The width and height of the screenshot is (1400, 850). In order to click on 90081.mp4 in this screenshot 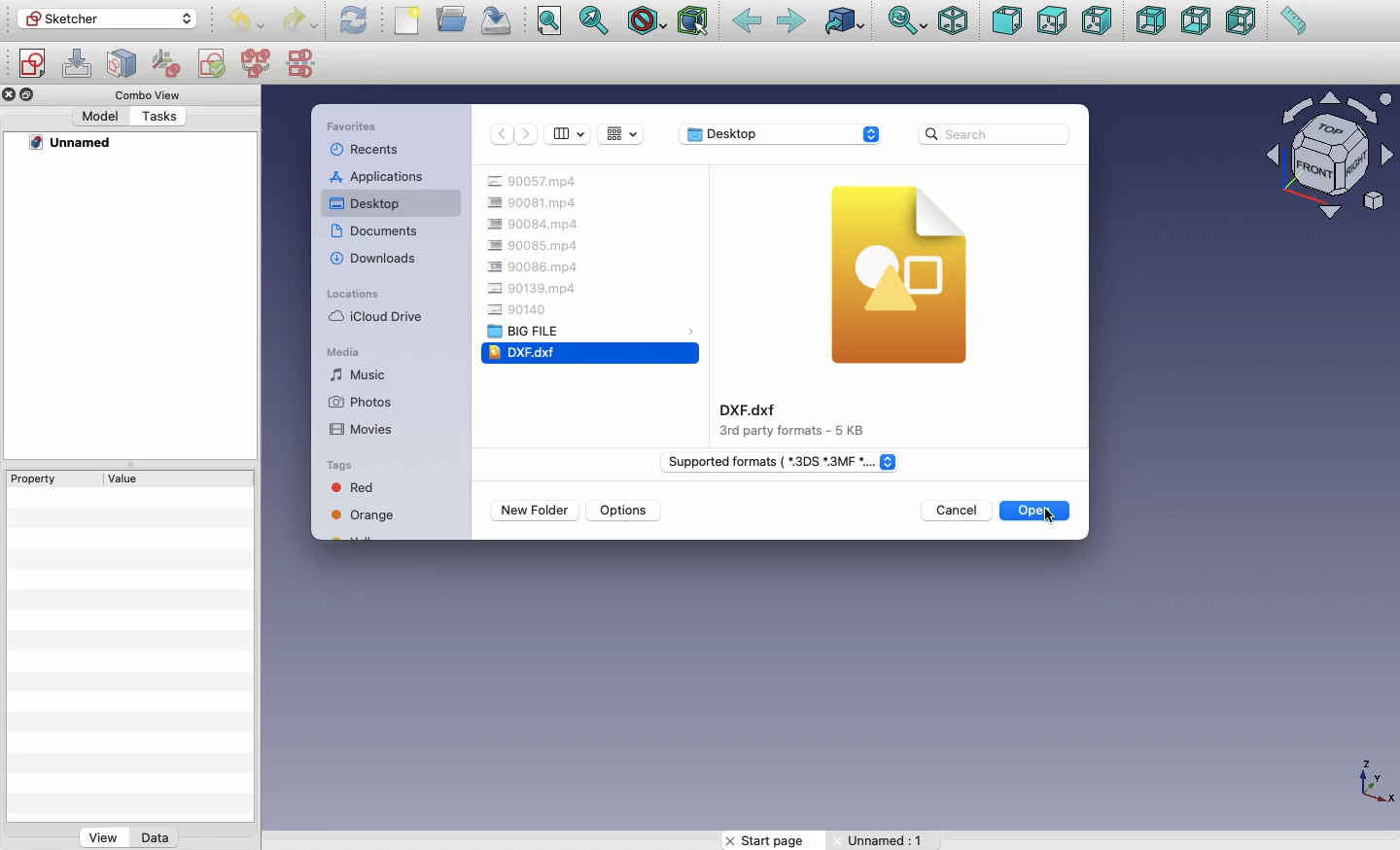, I will do `click(533, 204)`.